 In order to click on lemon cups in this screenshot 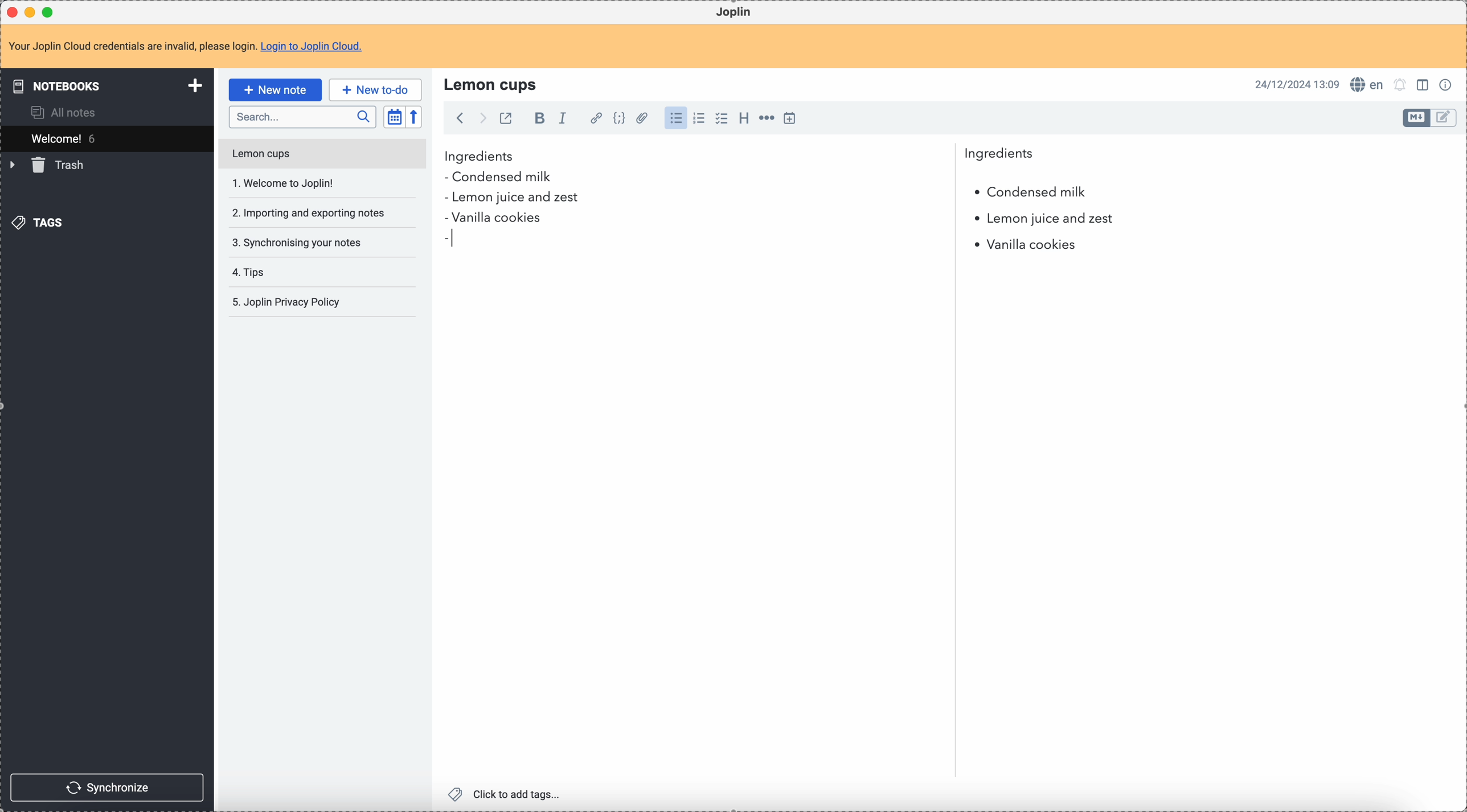, I will do `click(321, 156)`.